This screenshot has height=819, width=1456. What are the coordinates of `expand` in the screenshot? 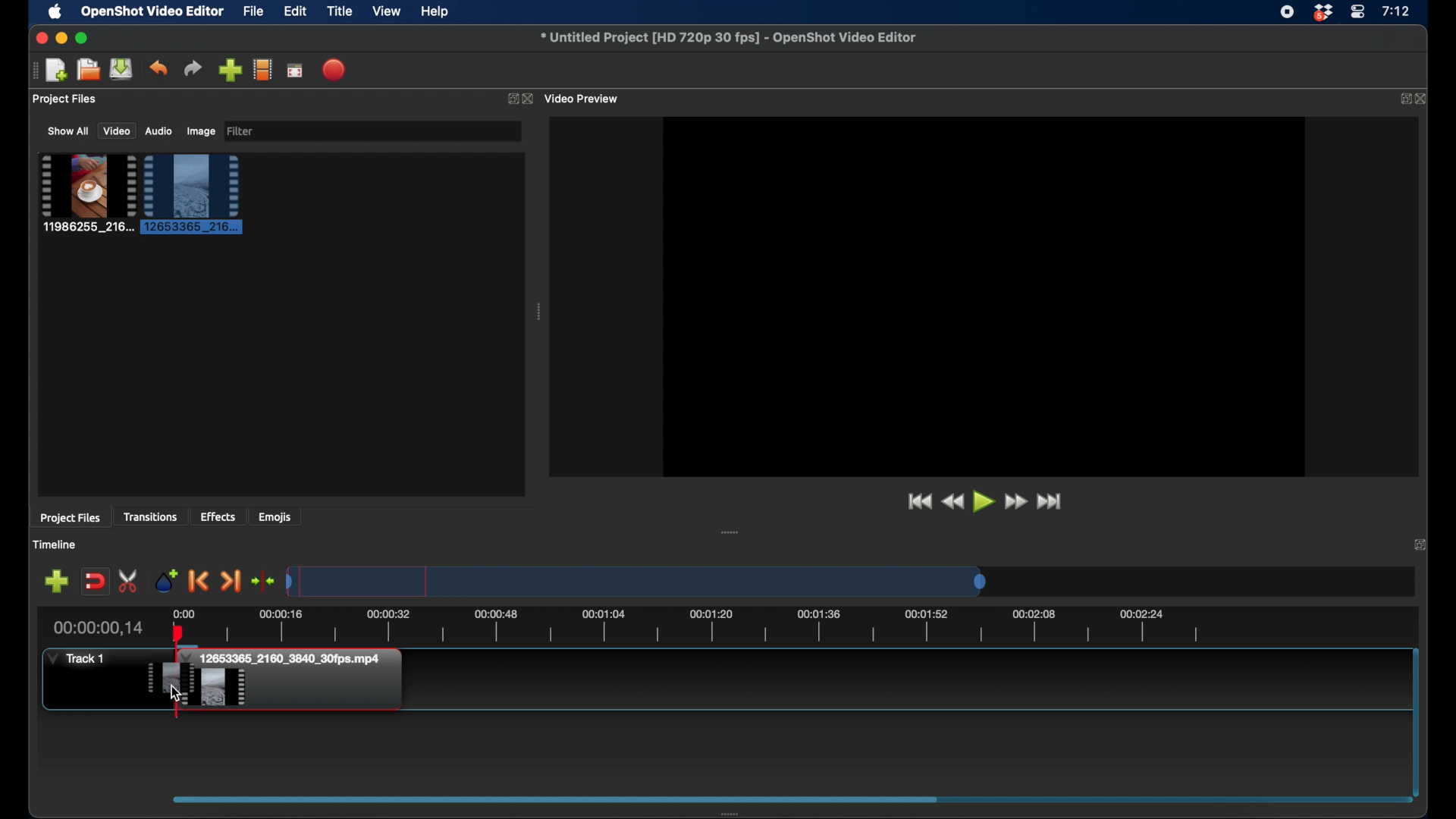 It's located at (1420, 544).